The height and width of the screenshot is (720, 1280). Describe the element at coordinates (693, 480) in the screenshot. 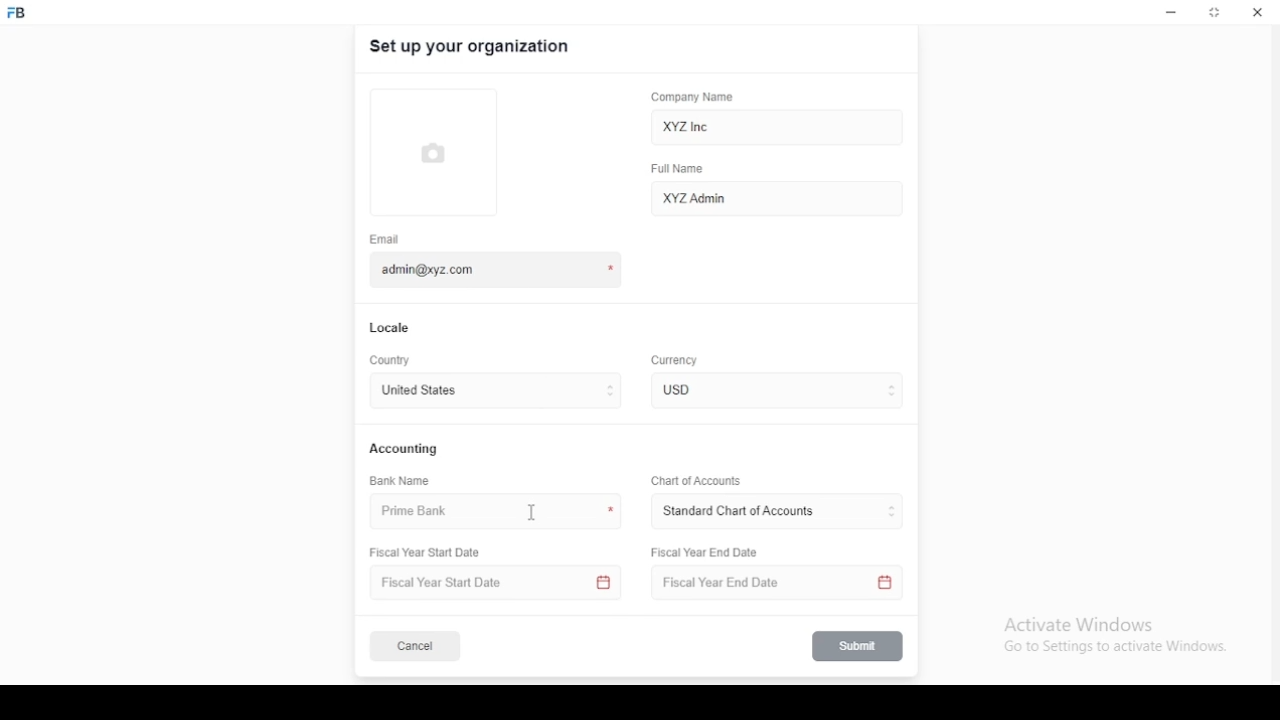

I see `Chart of Accounts` at that location.